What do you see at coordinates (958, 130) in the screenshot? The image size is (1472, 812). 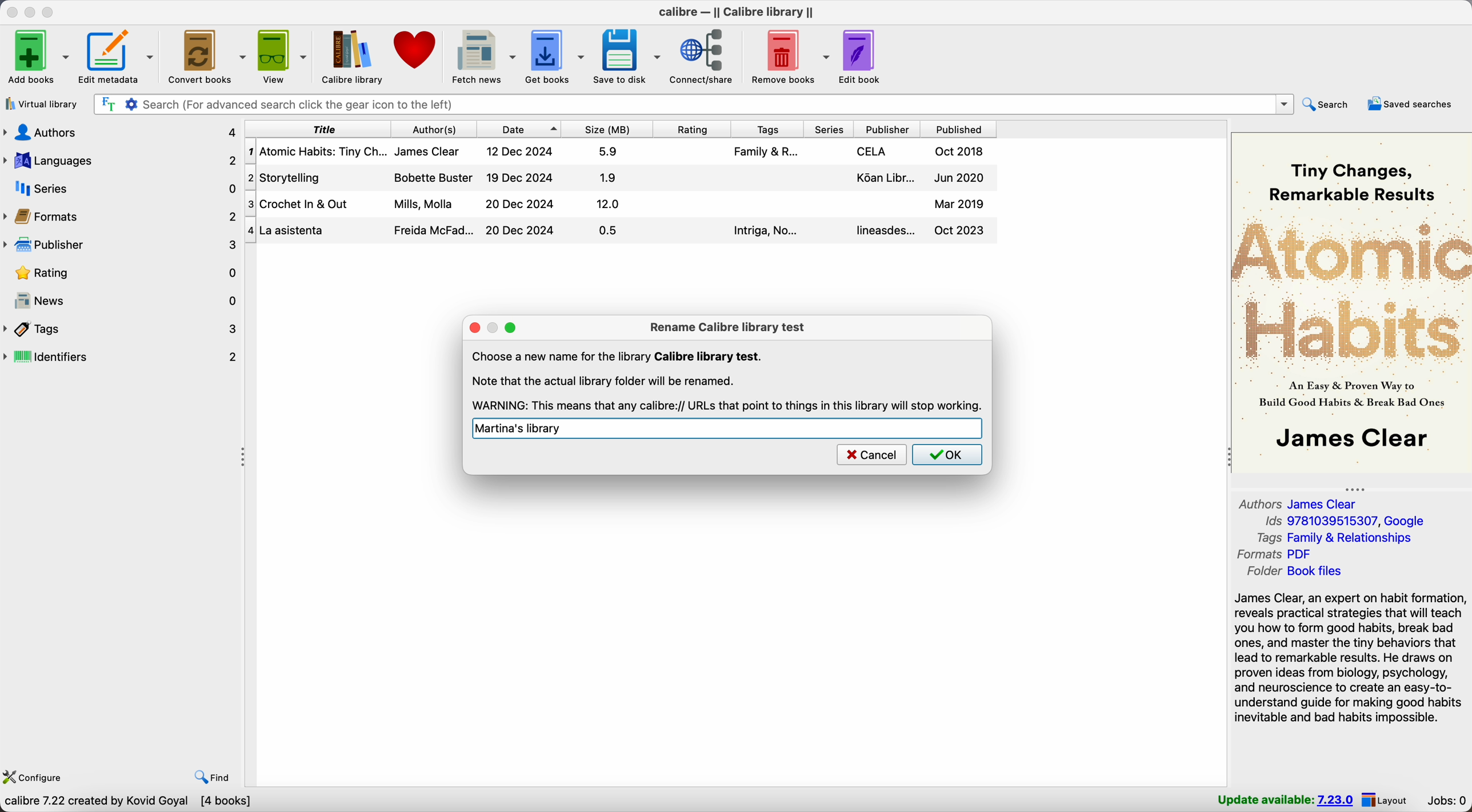 I see `published` at bounding box center [958, 130].